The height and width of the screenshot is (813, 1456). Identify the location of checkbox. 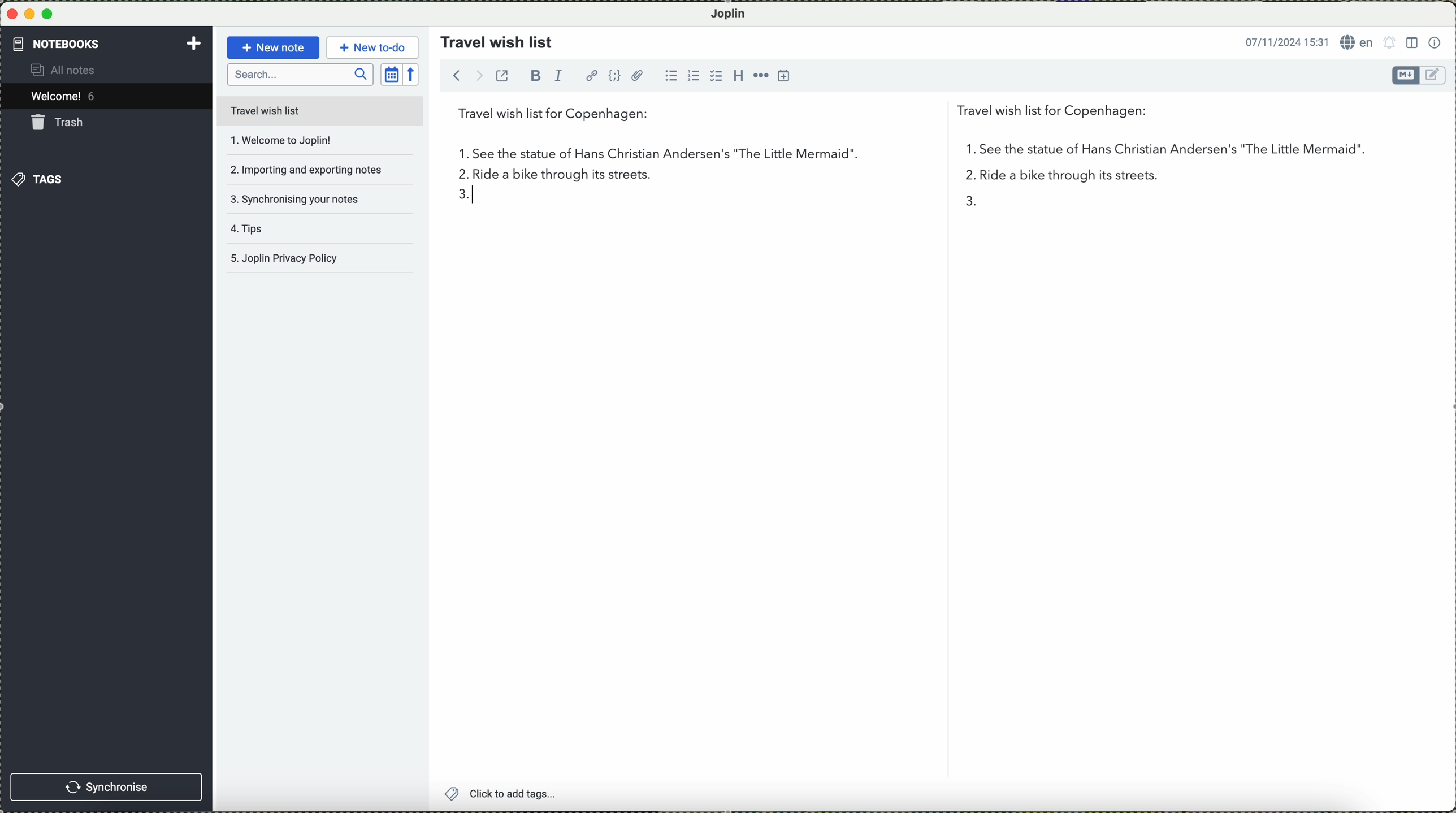
(714, 76).